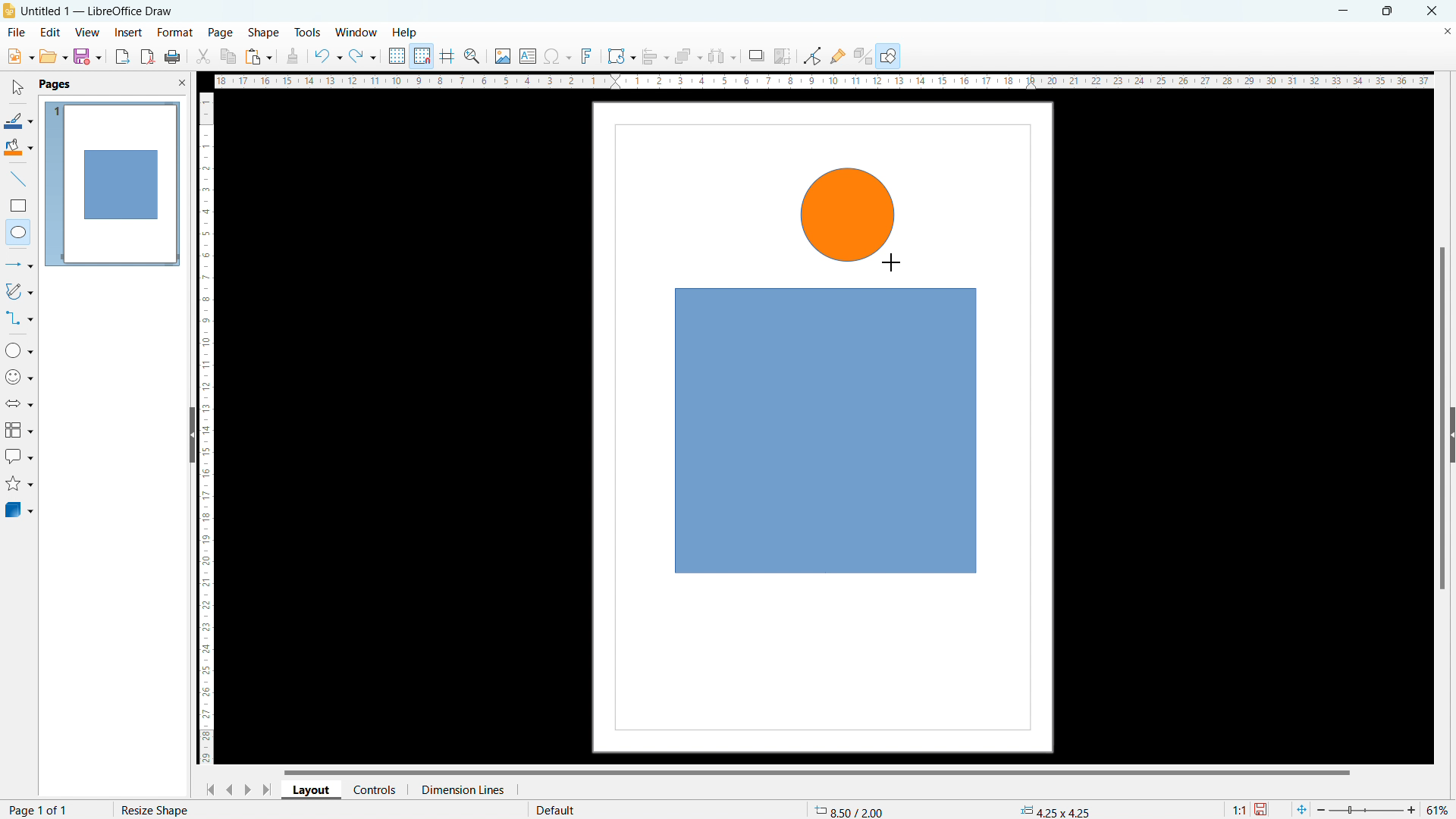 The width and height of the screenshot is (1456, 819). What do you see at coordinates (654, 56) in the screenshot?
I see `align object` at bounding box center [654, 56].